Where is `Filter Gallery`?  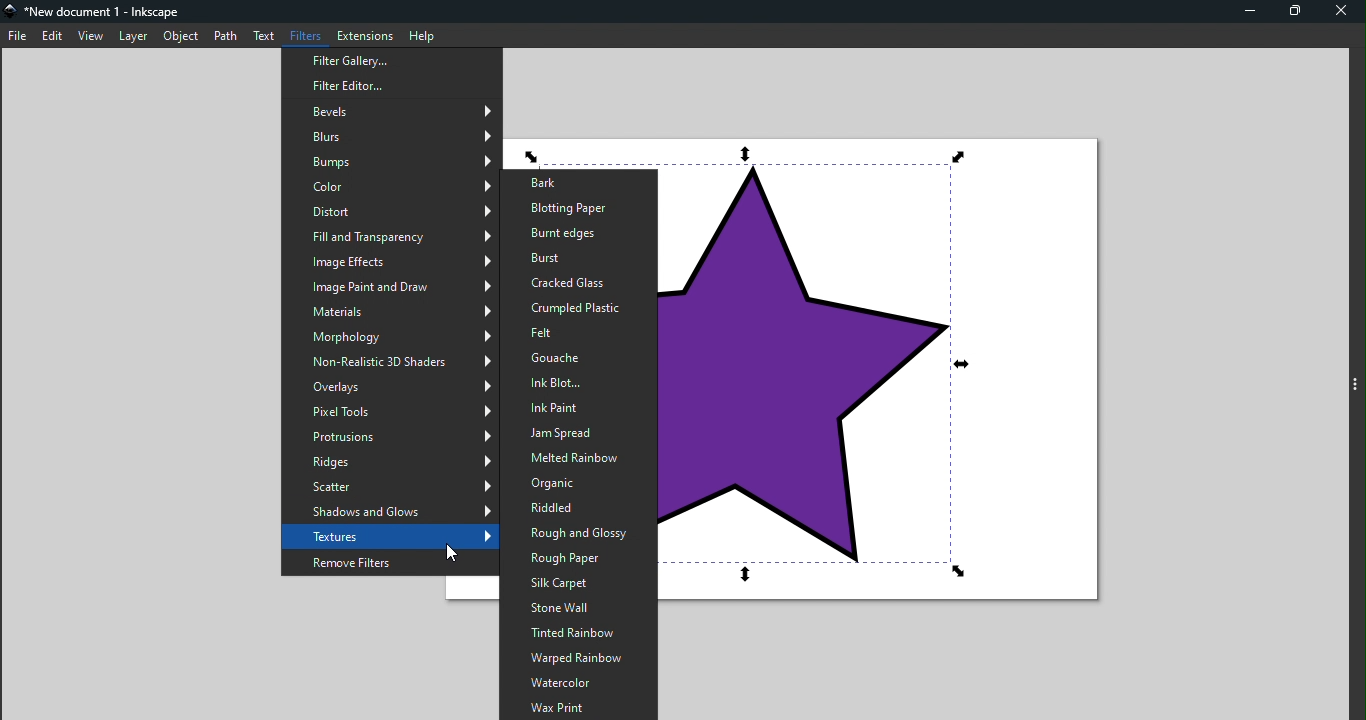 Filter Gallery is located at coordinates (387, 60).